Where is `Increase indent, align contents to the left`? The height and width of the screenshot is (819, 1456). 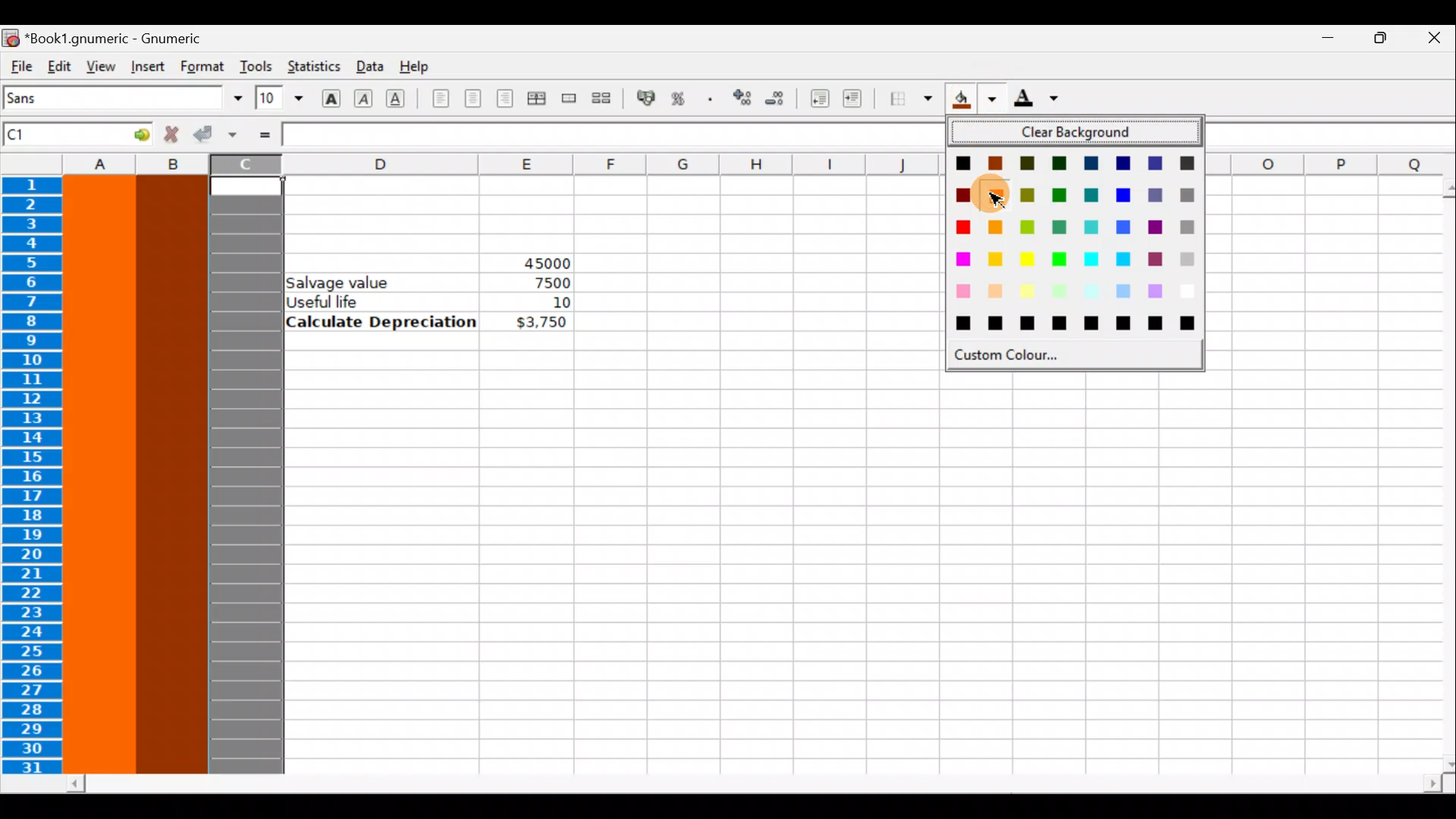 Increase indent, align contents to the left is located at coordinates (859, 100).